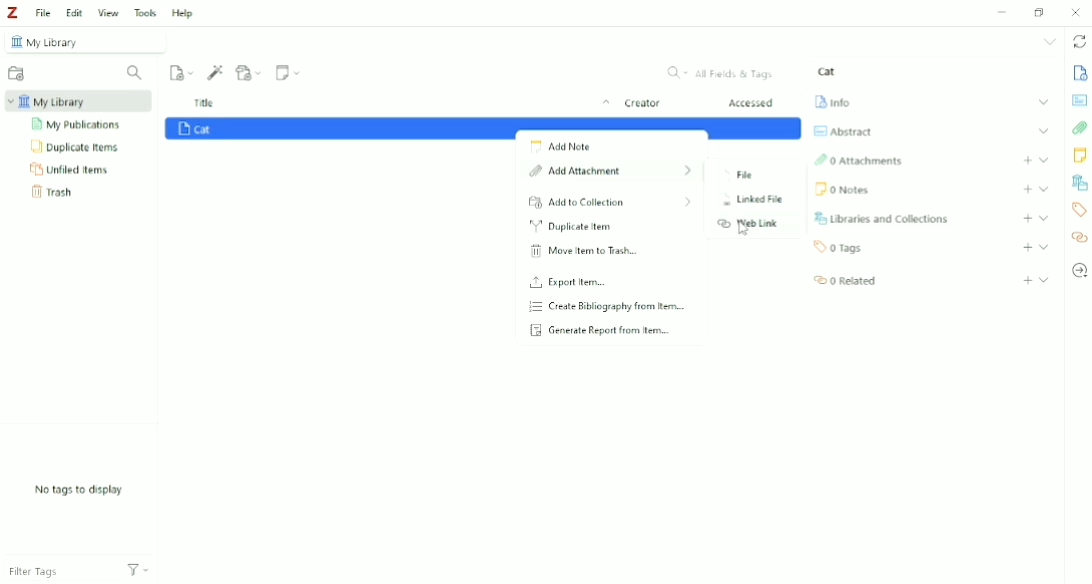 The height and width of the screenshot is (584, 1092). I want to click on Generate Report from Item, so click(600, 332).